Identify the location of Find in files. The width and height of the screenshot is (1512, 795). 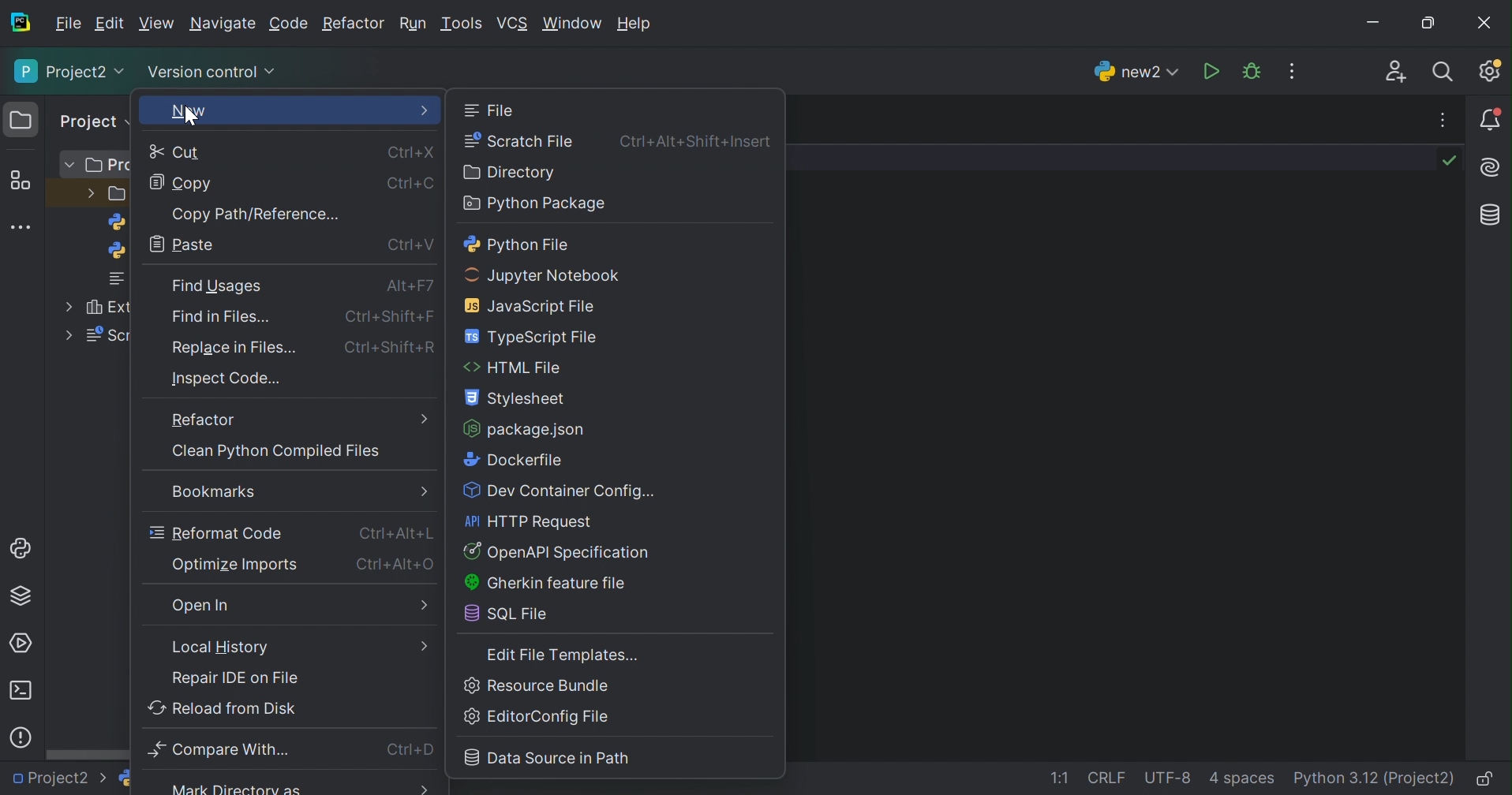
(224, 318).